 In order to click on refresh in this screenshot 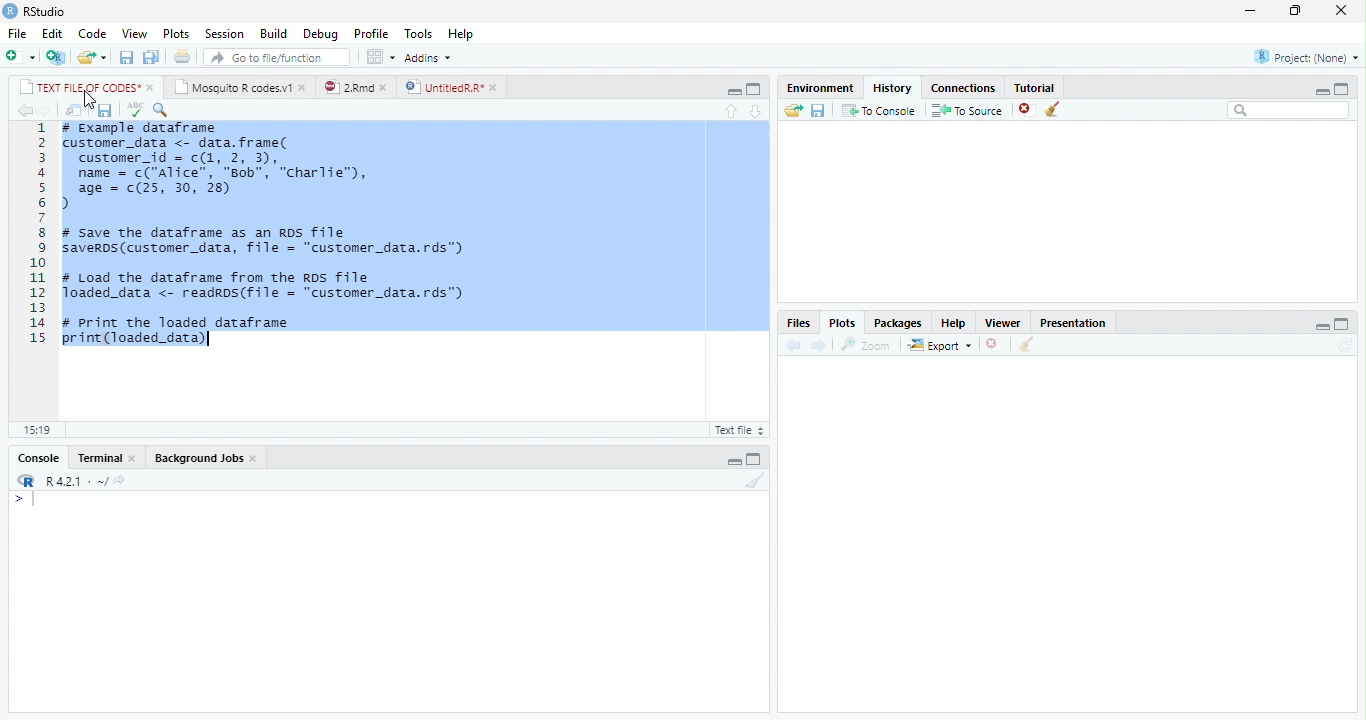, I will do `click(1345, 345)`.